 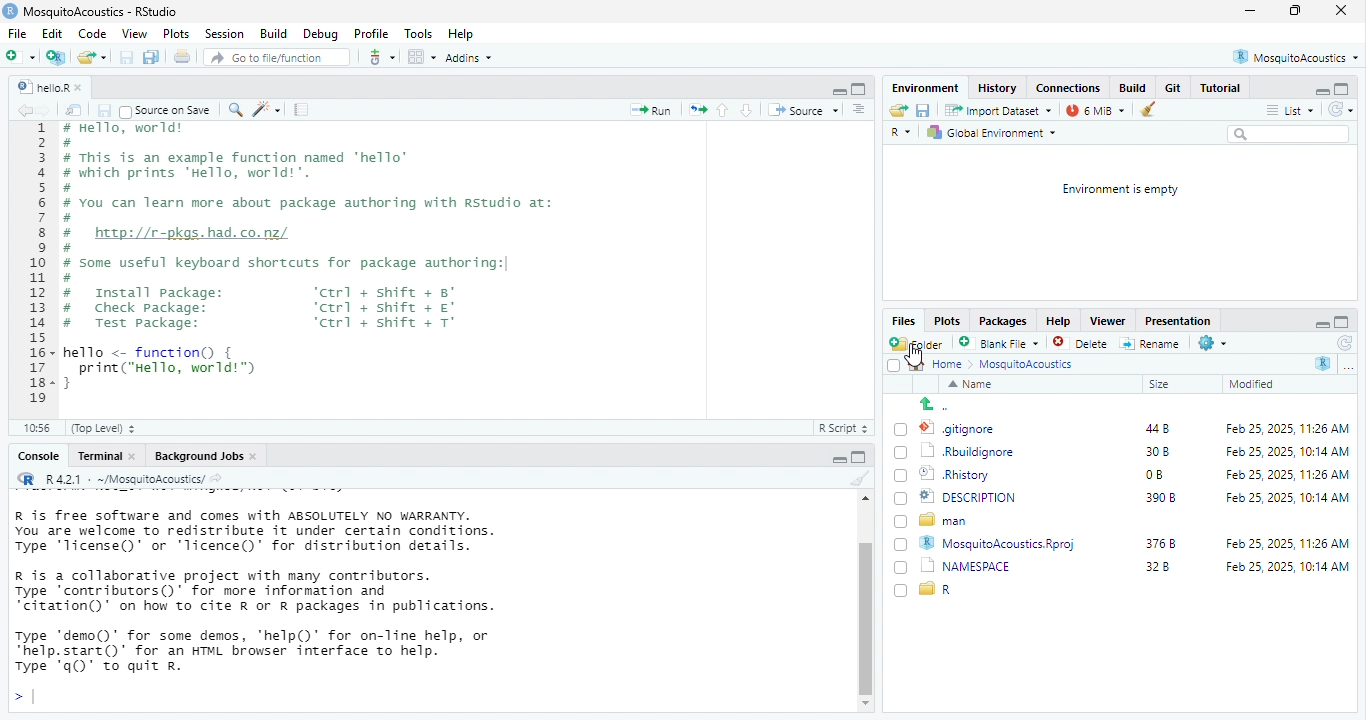 I want to click on Session, so click(x=226, y=35).